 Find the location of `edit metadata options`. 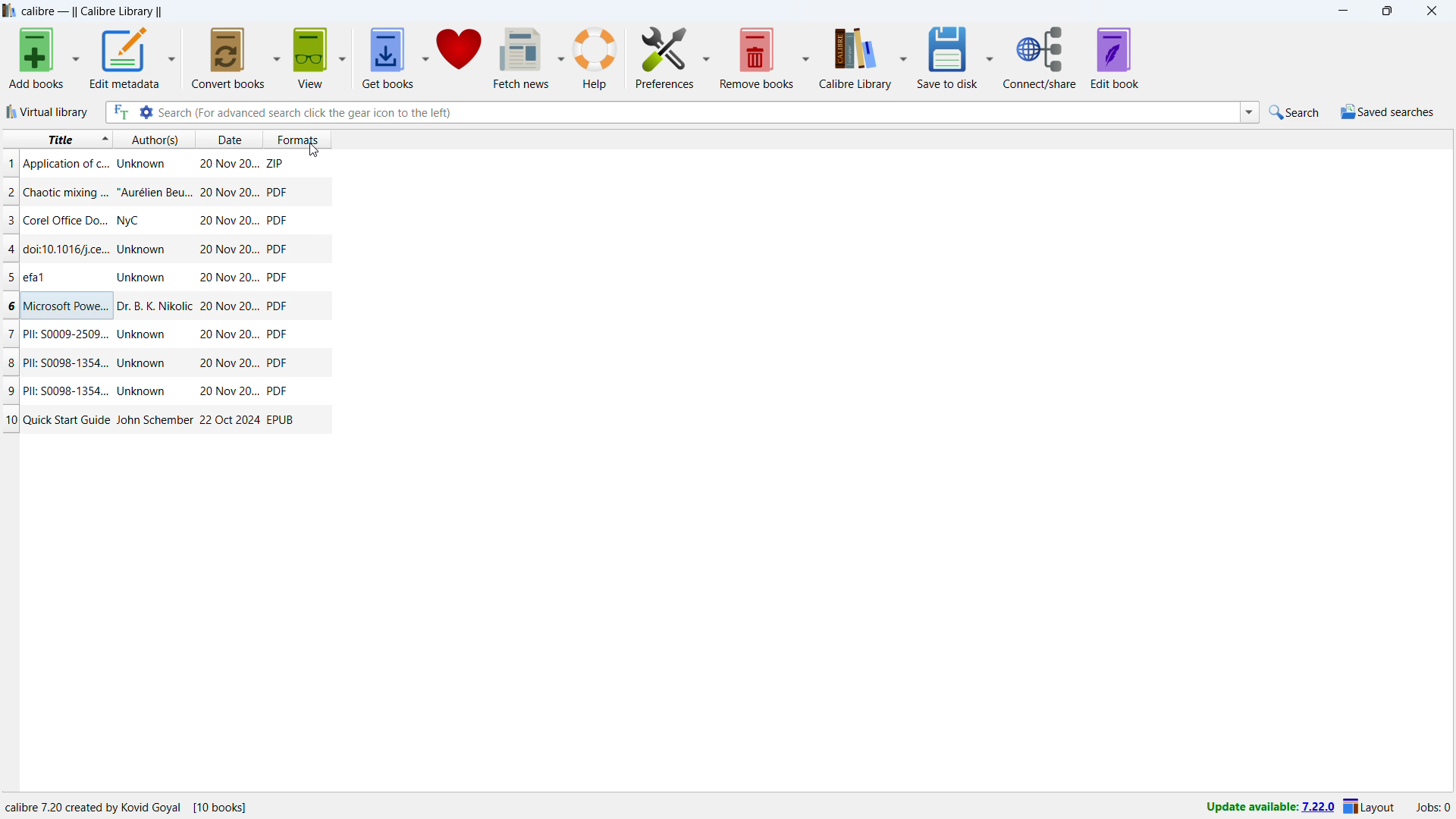

edit metadata options is located at coordinates (172, 58).